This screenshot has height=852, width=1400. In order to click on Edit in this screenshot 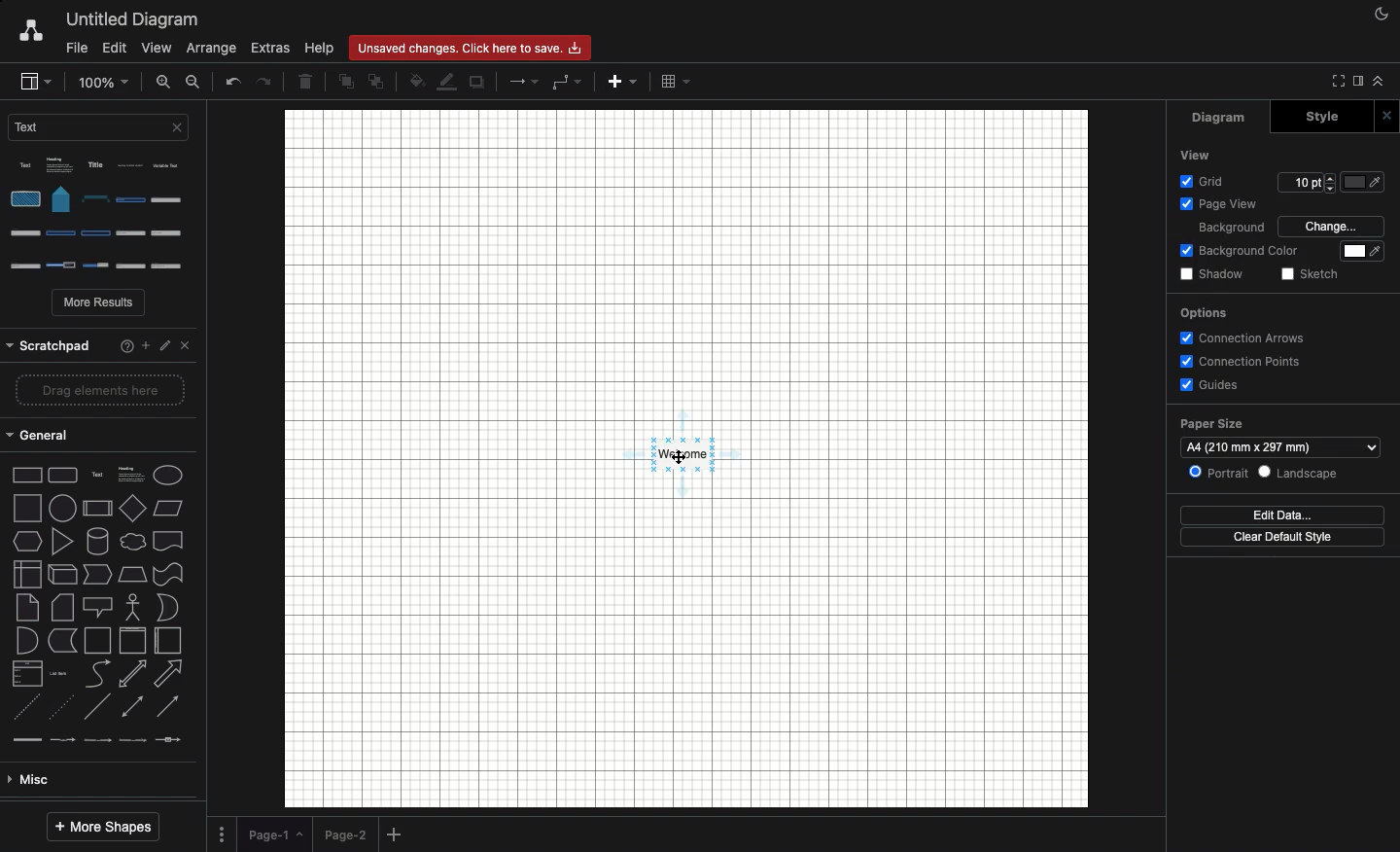, I will do `click(113, 47)`.